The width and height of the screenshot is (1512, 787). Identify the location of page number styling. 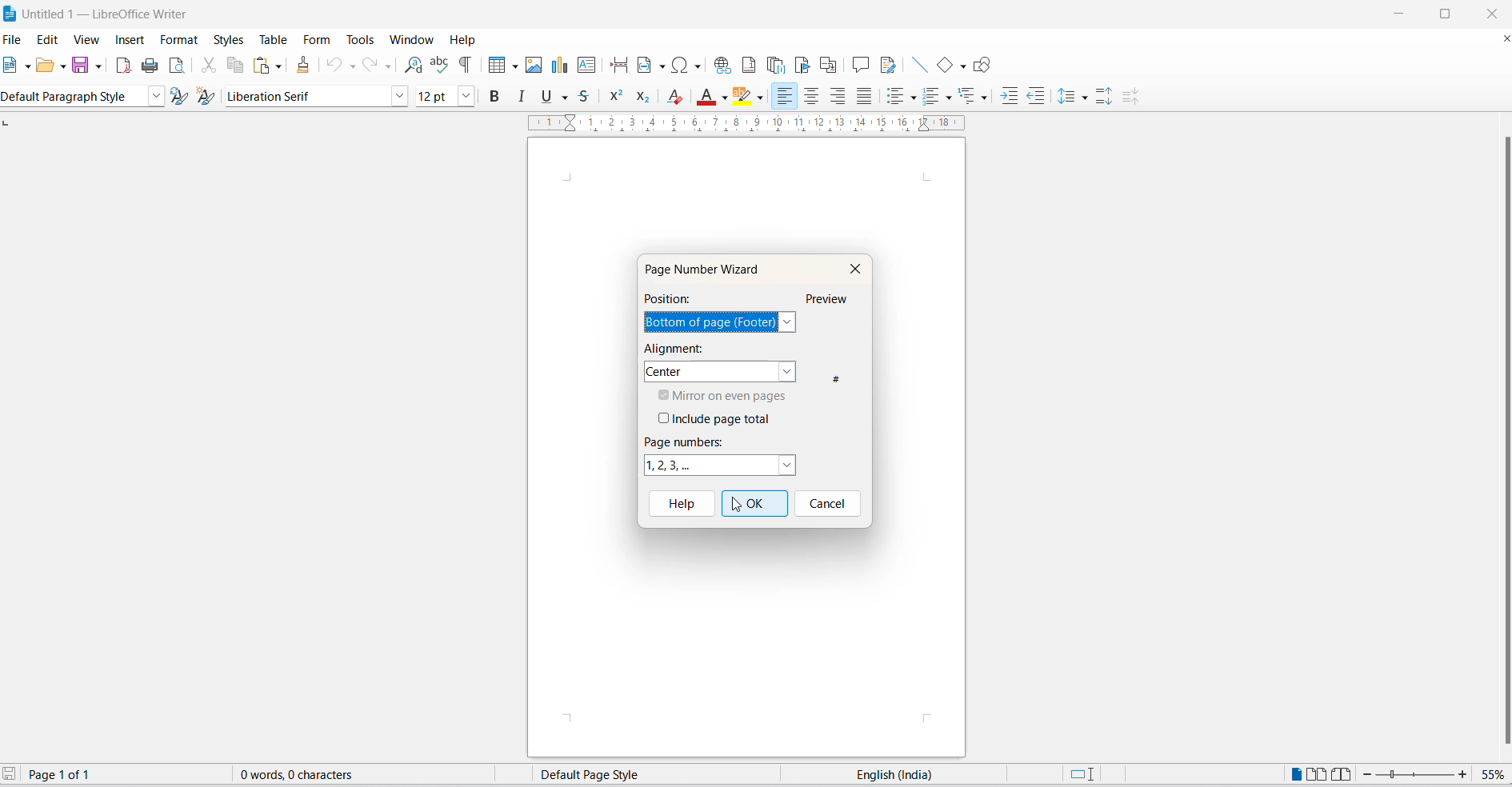
(686, 441).